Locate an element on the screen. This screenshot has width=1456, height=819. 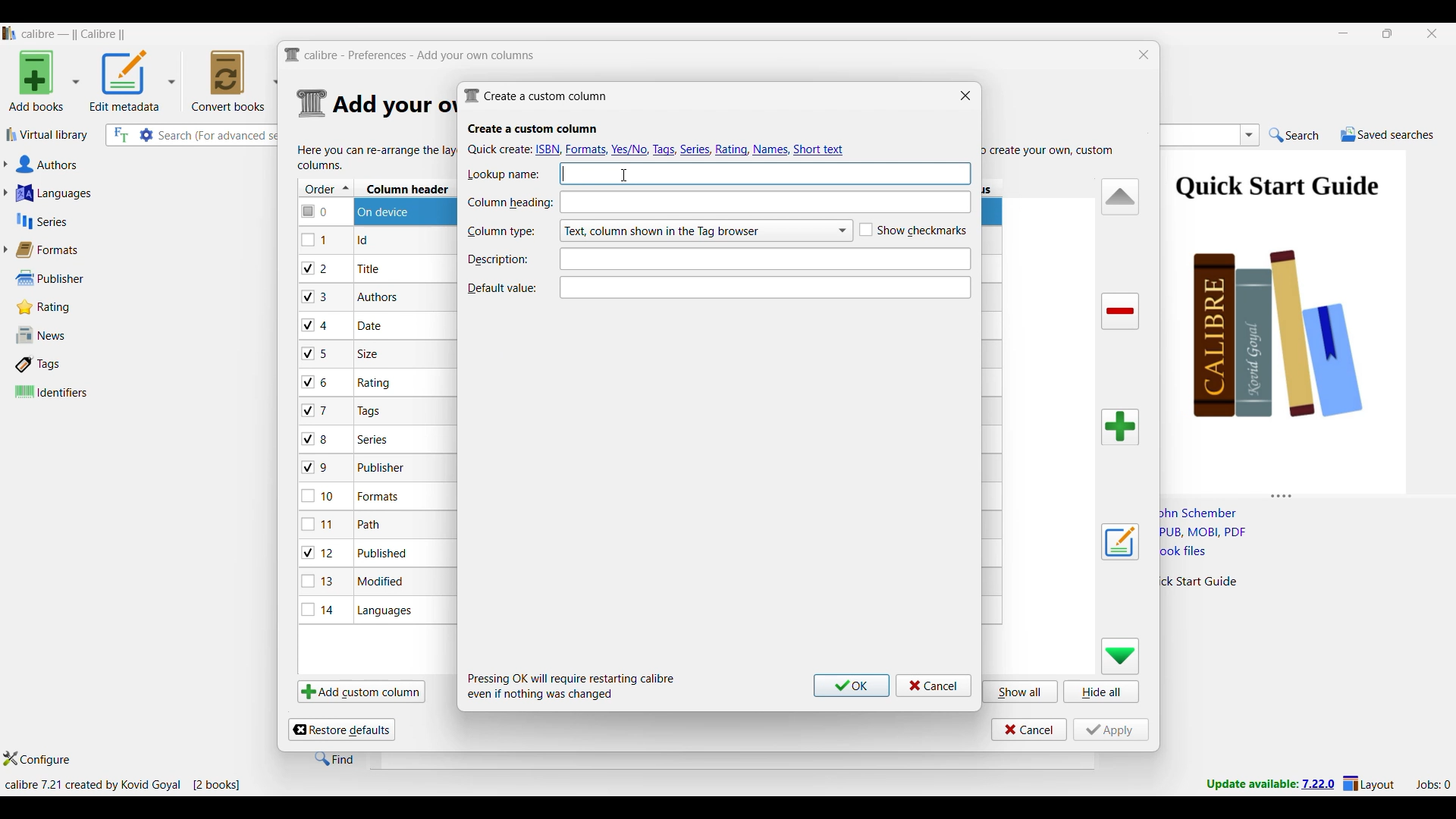
text is located at coordinates (766, 202).